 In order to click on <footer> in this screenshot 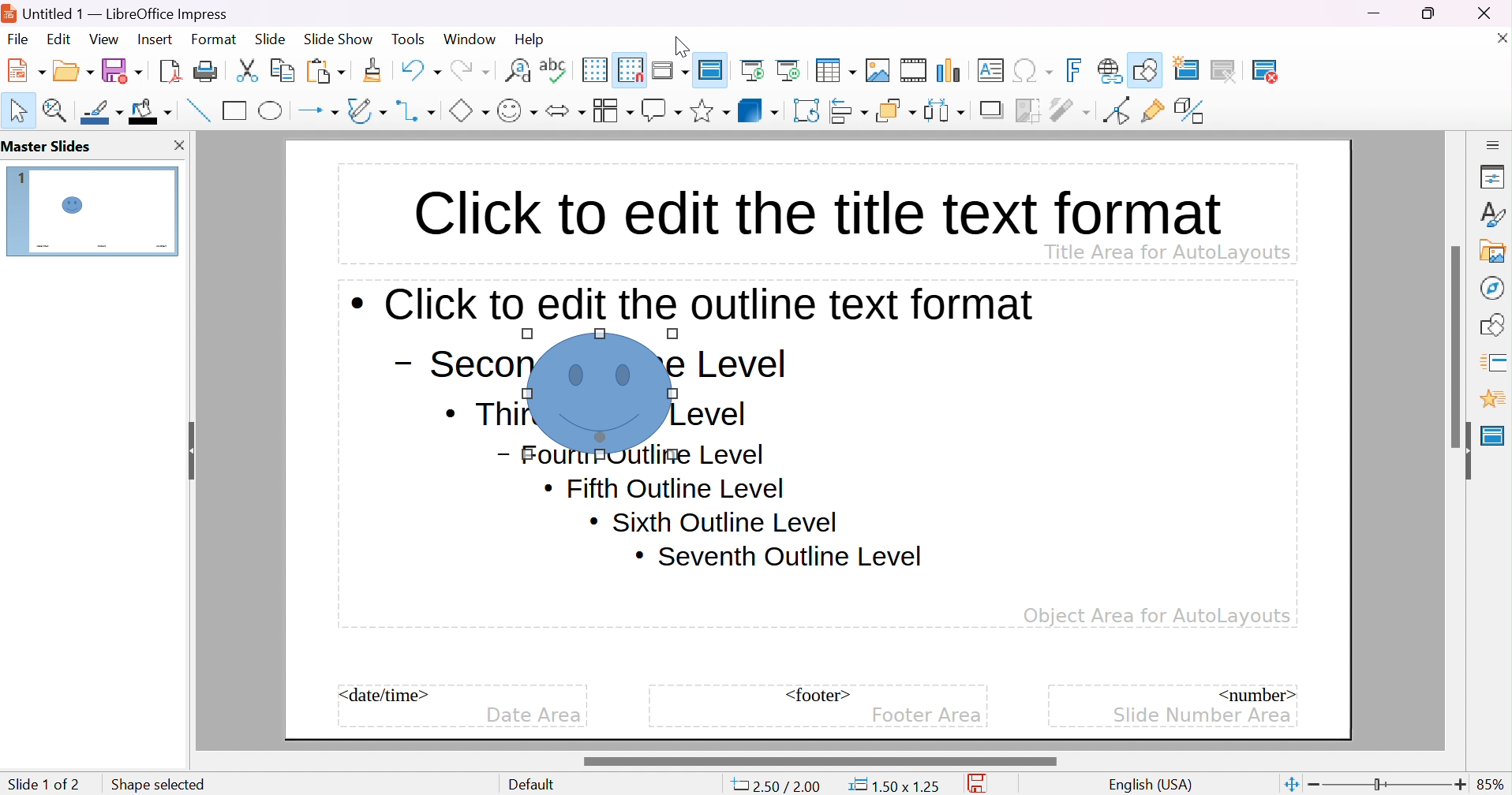, I will do `click(818, 695)`.